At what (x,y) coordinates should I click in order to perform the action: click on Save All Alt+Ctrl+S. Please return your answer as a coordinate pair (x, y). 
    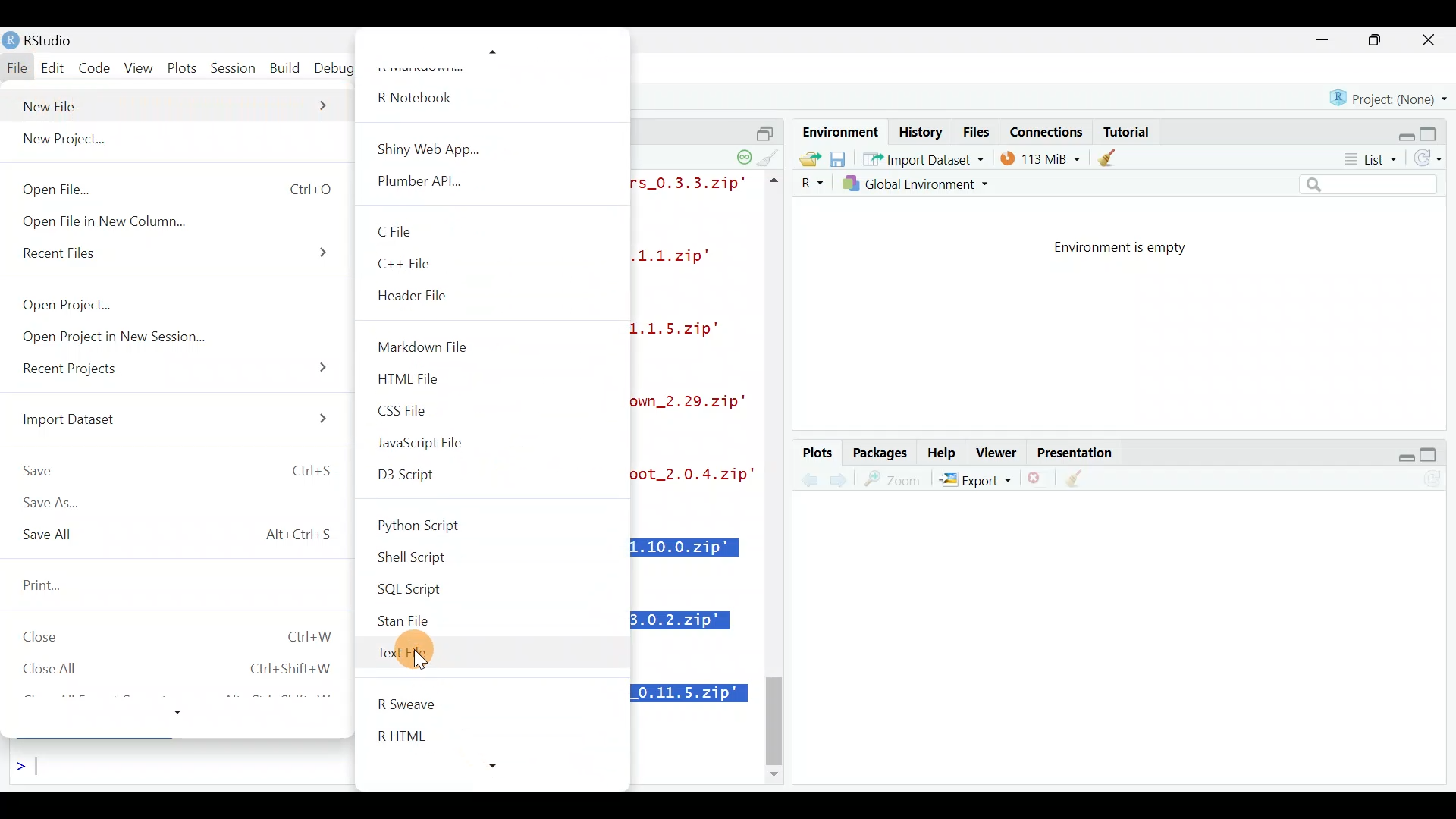
    Looking at the image, I should click on (181, 535).